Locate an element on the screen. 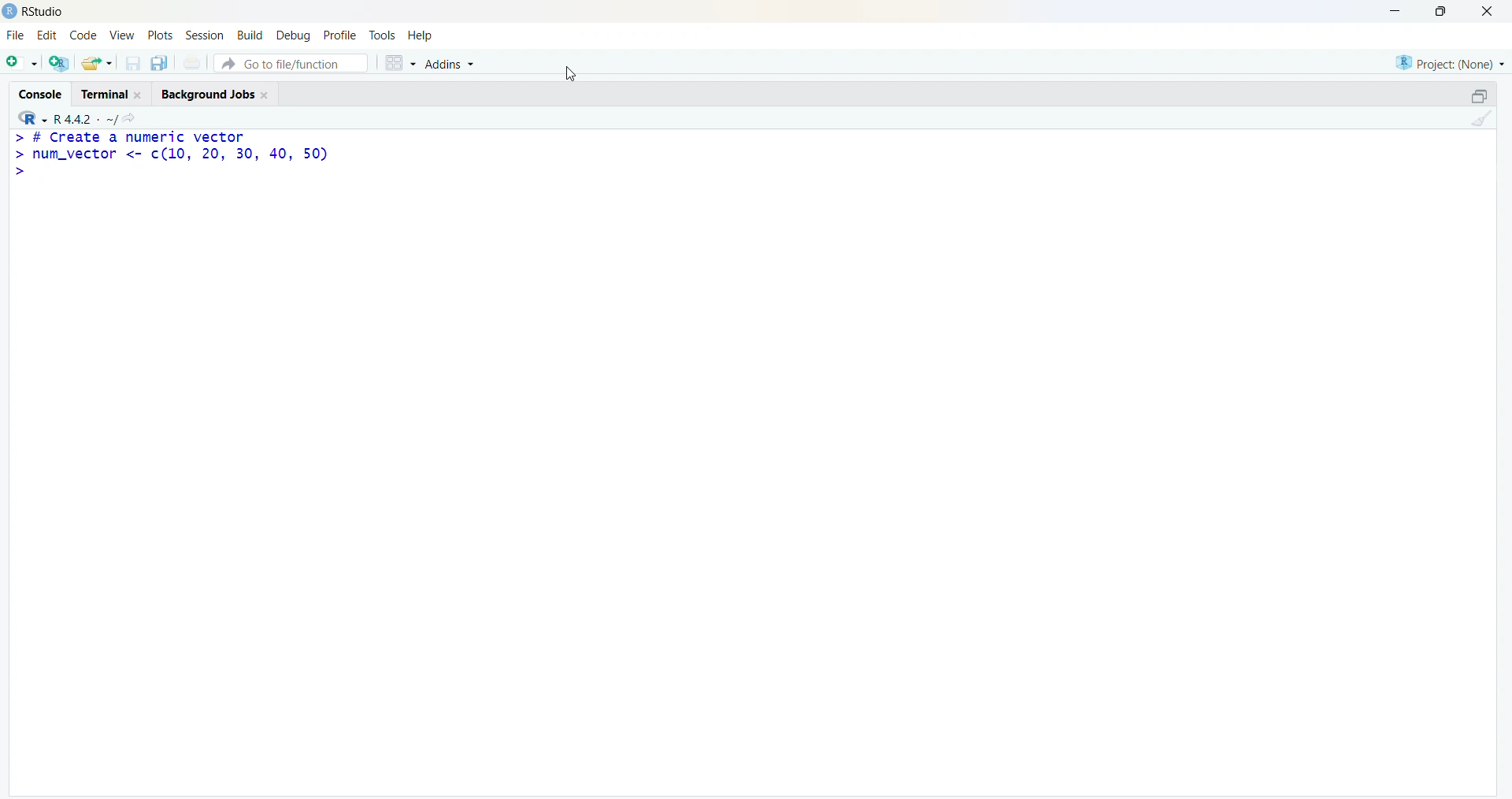  file is located at coordinates (16, 35).